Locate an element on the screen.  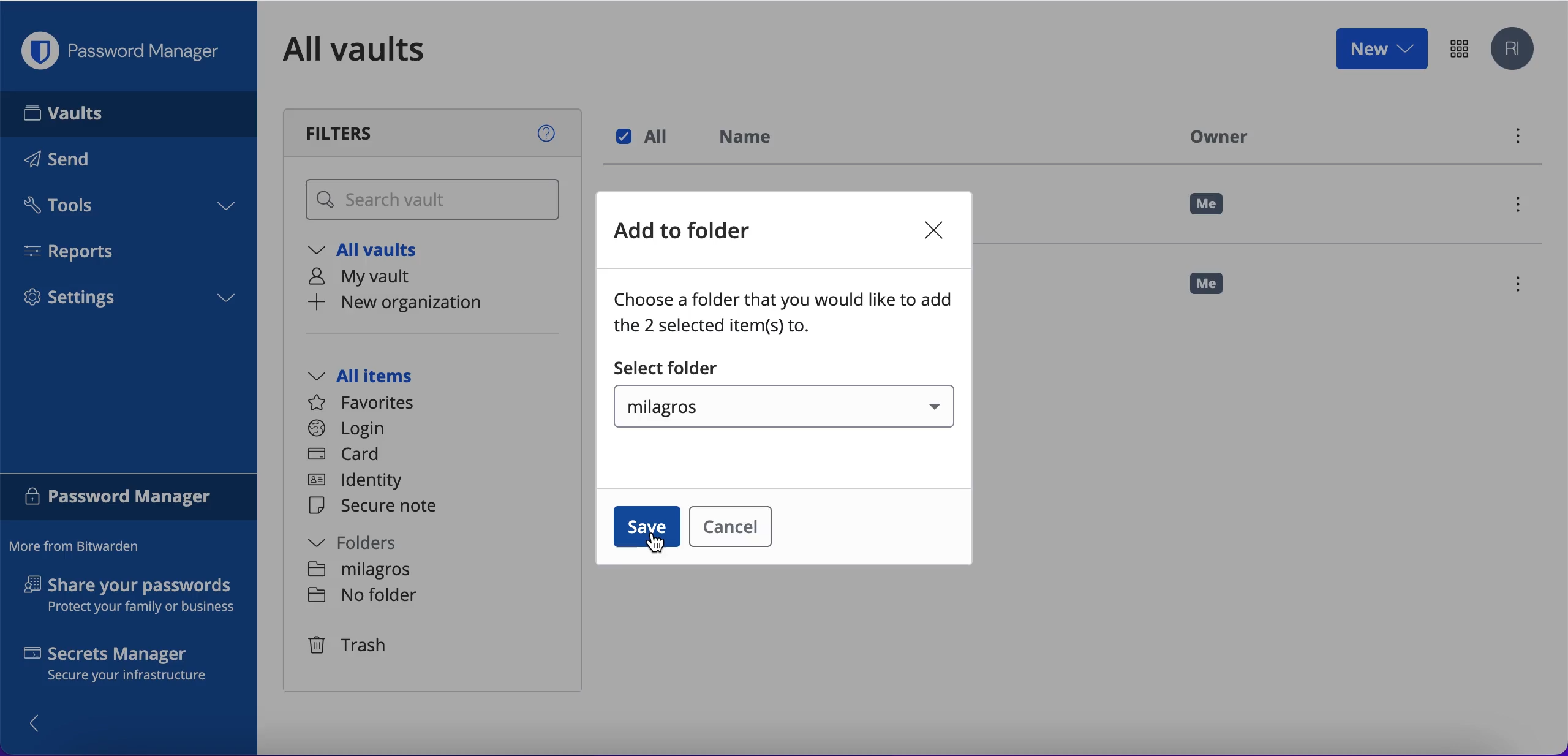
password manager is located at coordinates (1459, 48).